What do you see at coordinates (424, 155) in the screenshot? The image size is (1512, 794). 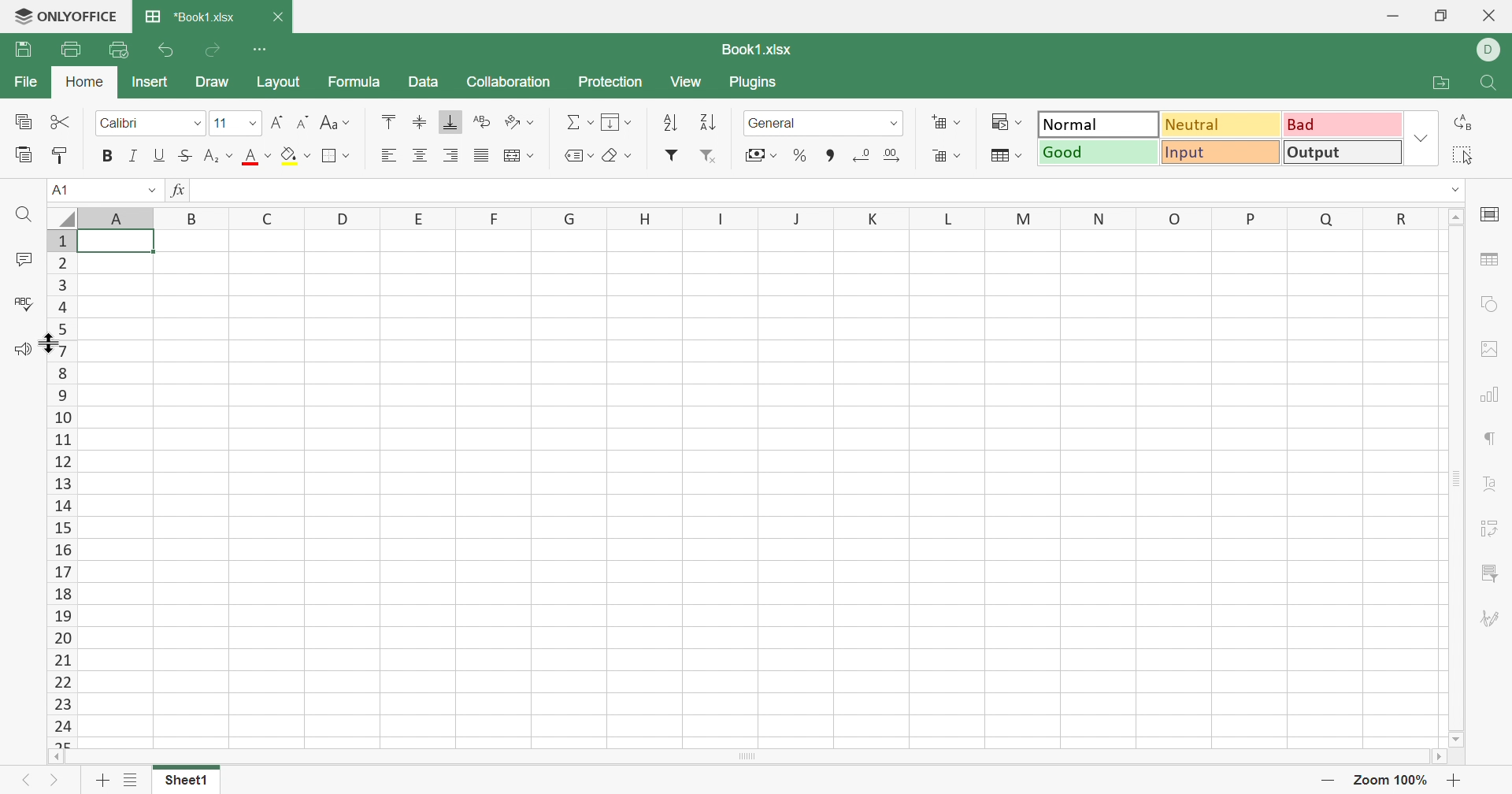 I see `Align Center` at bounding box center [424, 155].